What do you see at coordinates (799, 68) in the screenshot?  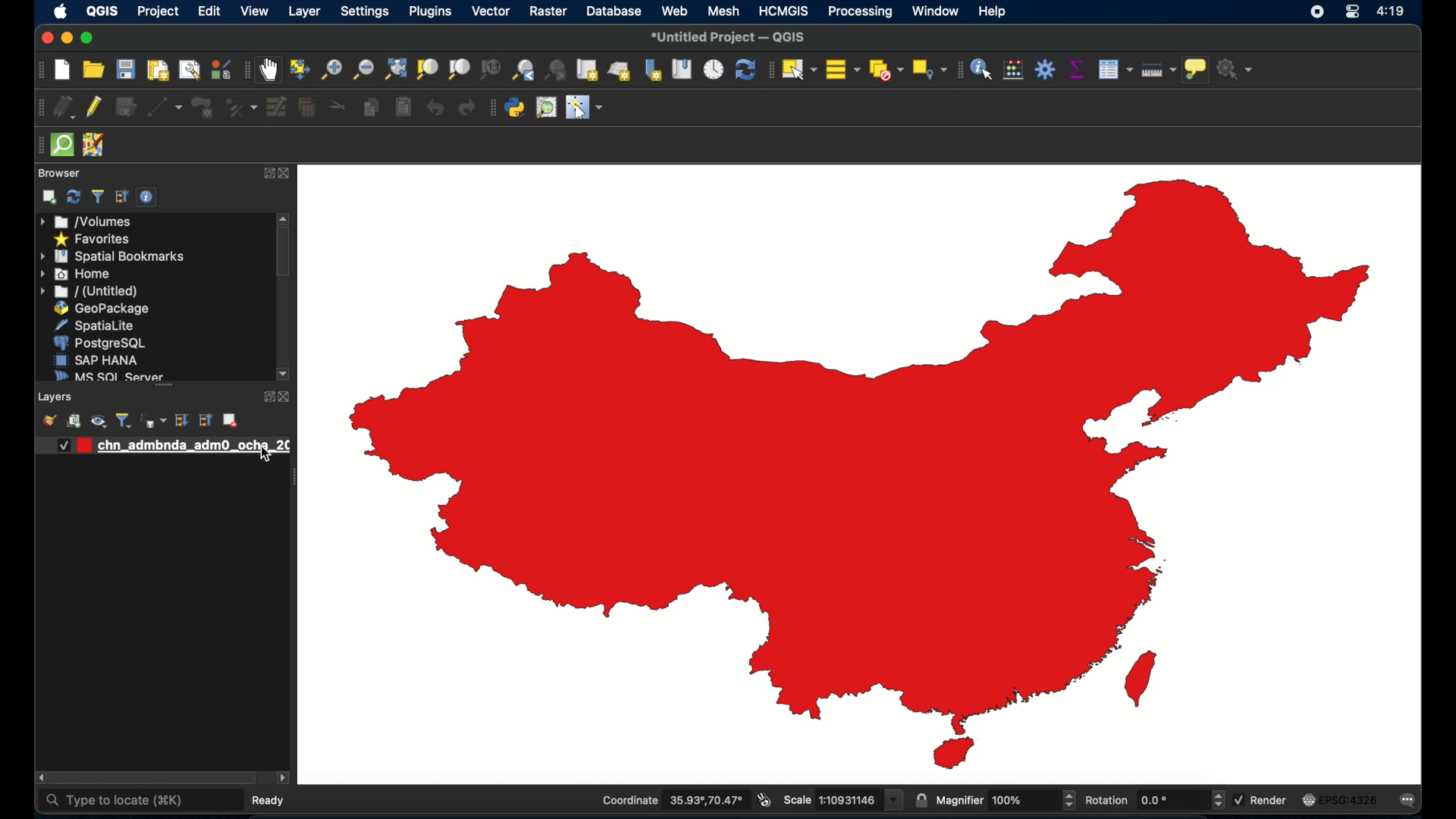 I see `select features by area or single click` at bounding box center [799, 68].